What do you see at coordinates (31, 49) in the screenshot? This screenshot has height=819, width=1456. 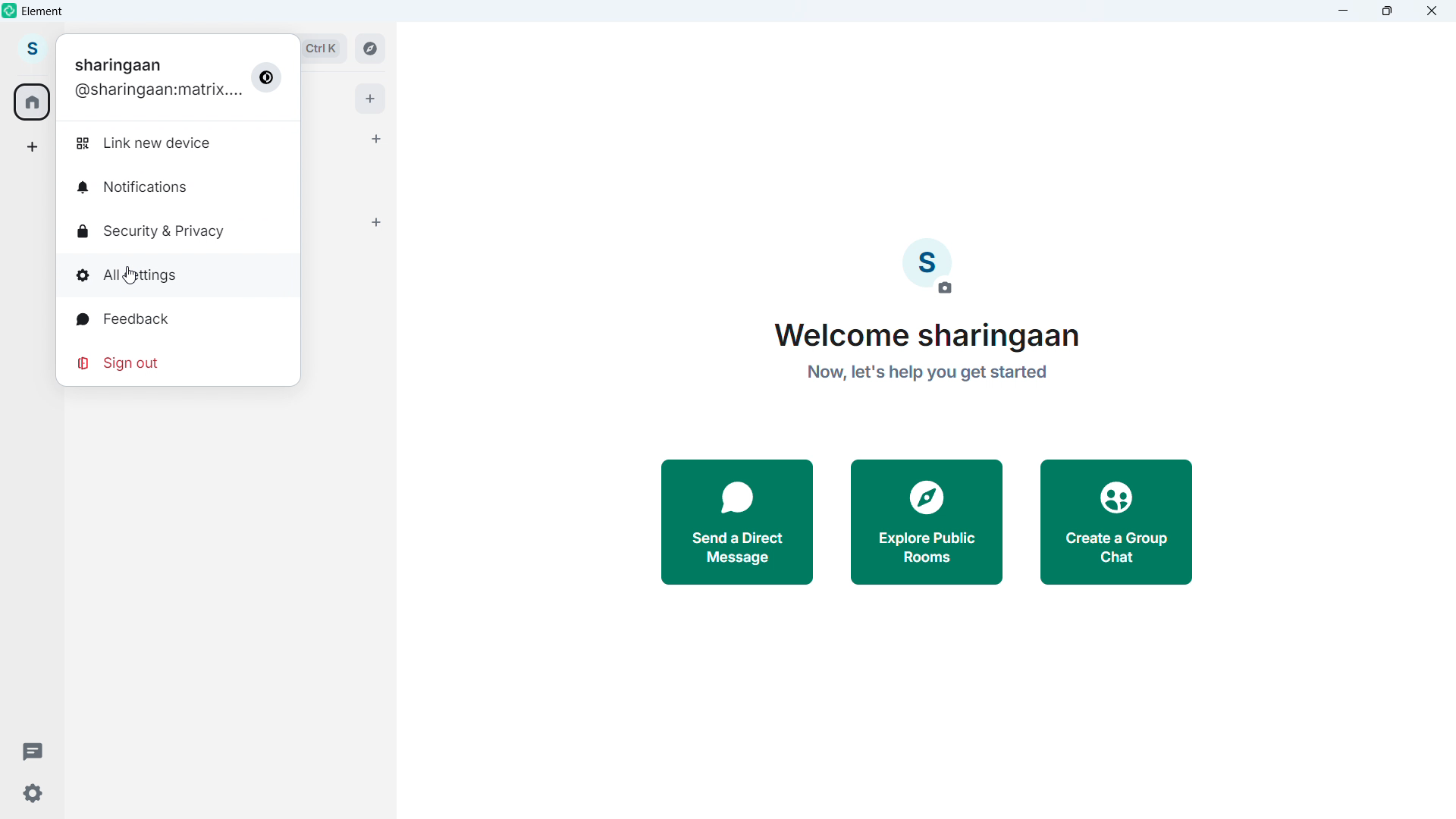 I see `Account ` at bounding box center [31, 49].